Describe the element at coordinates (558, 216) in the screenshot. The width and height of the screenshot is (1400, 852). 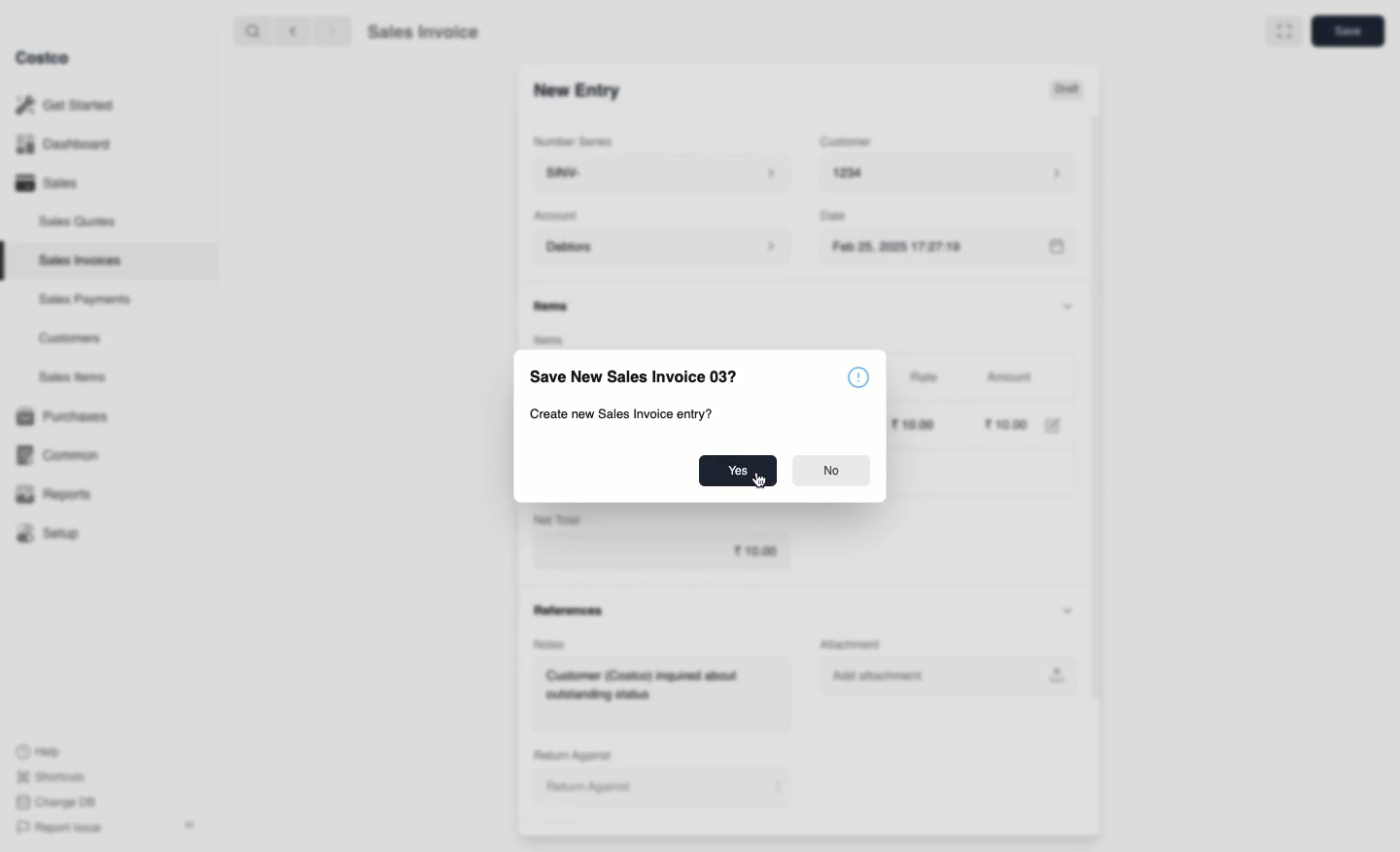
I see `‘Account` at that location.